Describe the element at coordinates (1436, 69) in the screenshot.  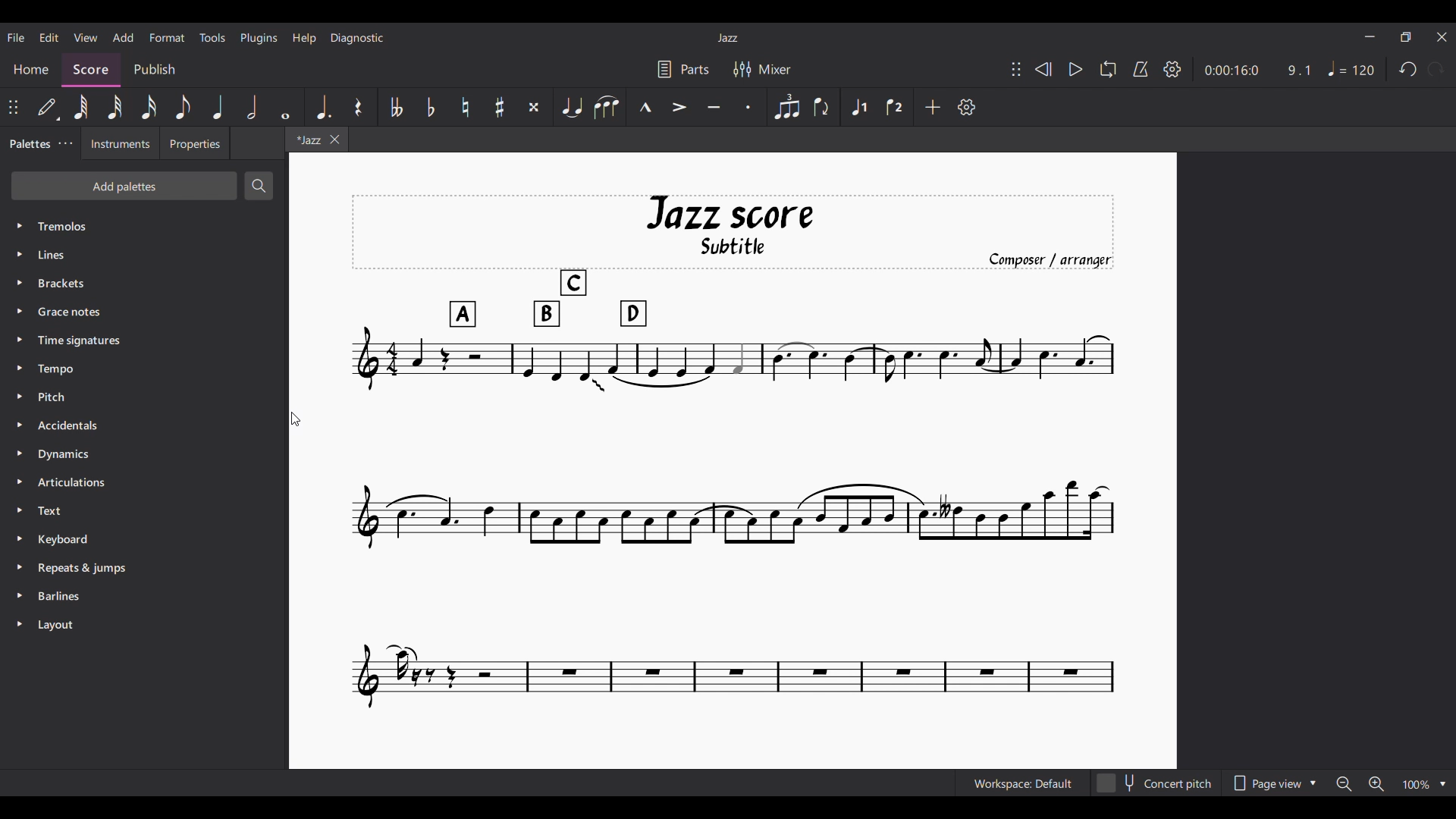
I see `Redo` at that location.